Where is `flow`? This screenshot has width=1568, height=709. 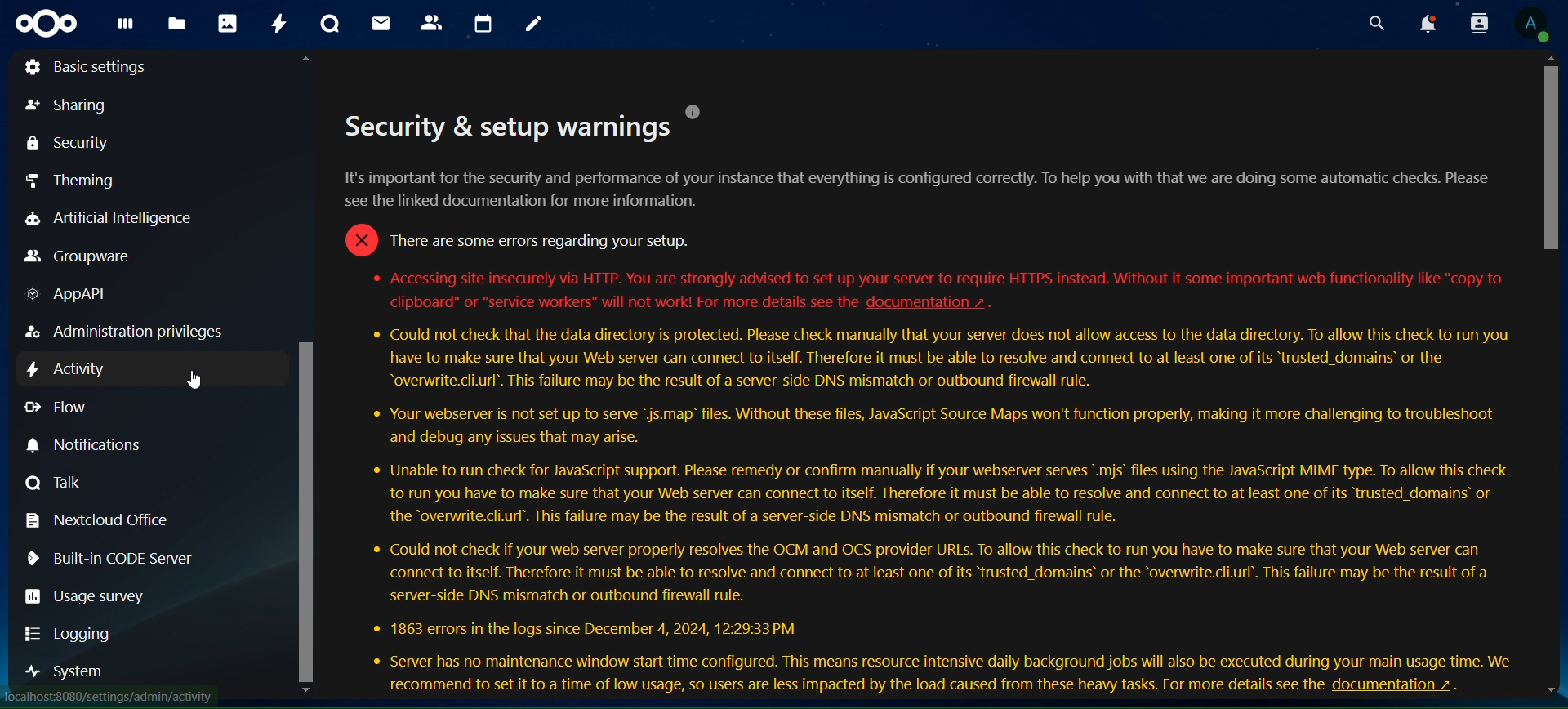 flow is located at coordinates (62, 406).